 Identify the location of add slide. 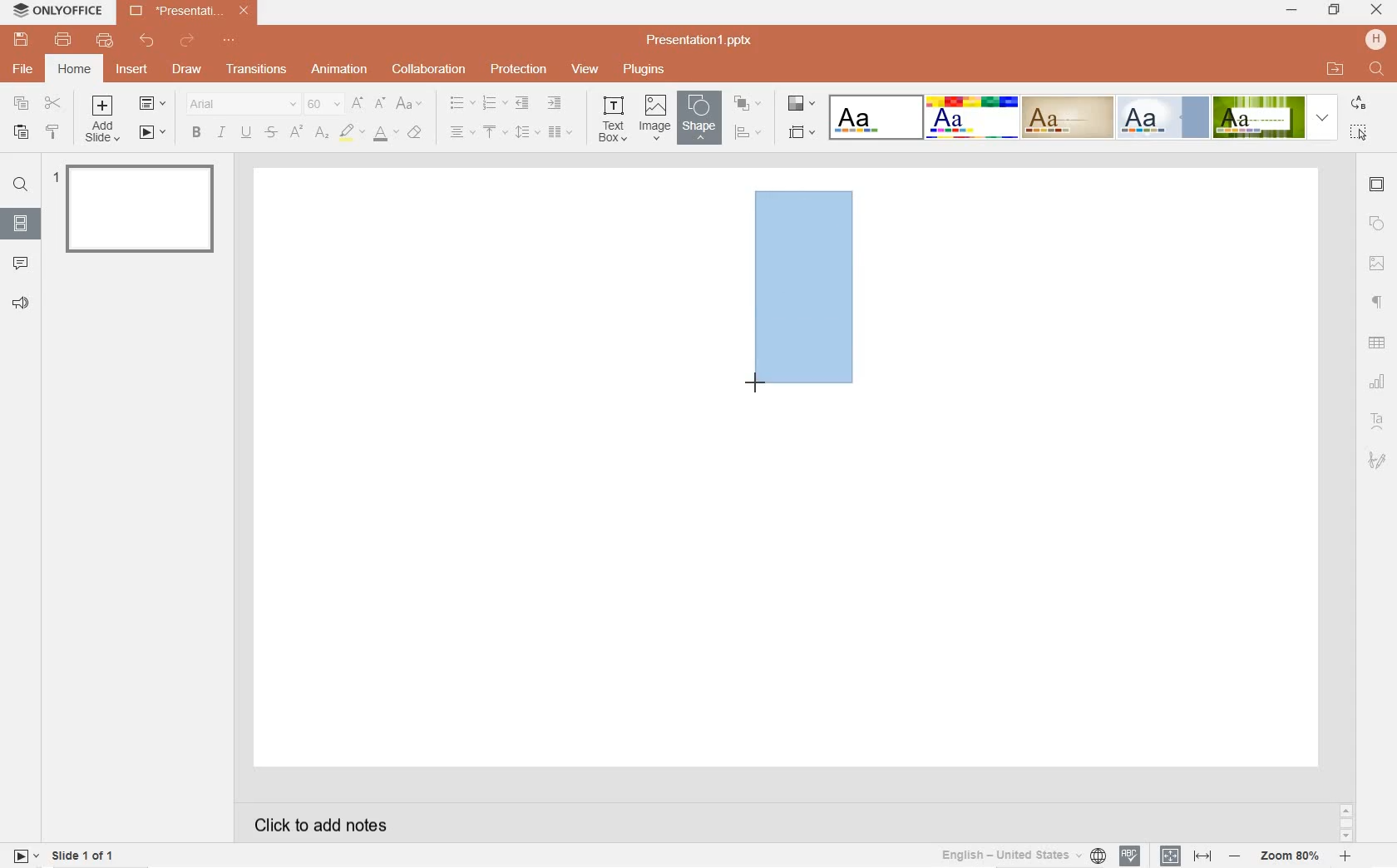
(105, 121).